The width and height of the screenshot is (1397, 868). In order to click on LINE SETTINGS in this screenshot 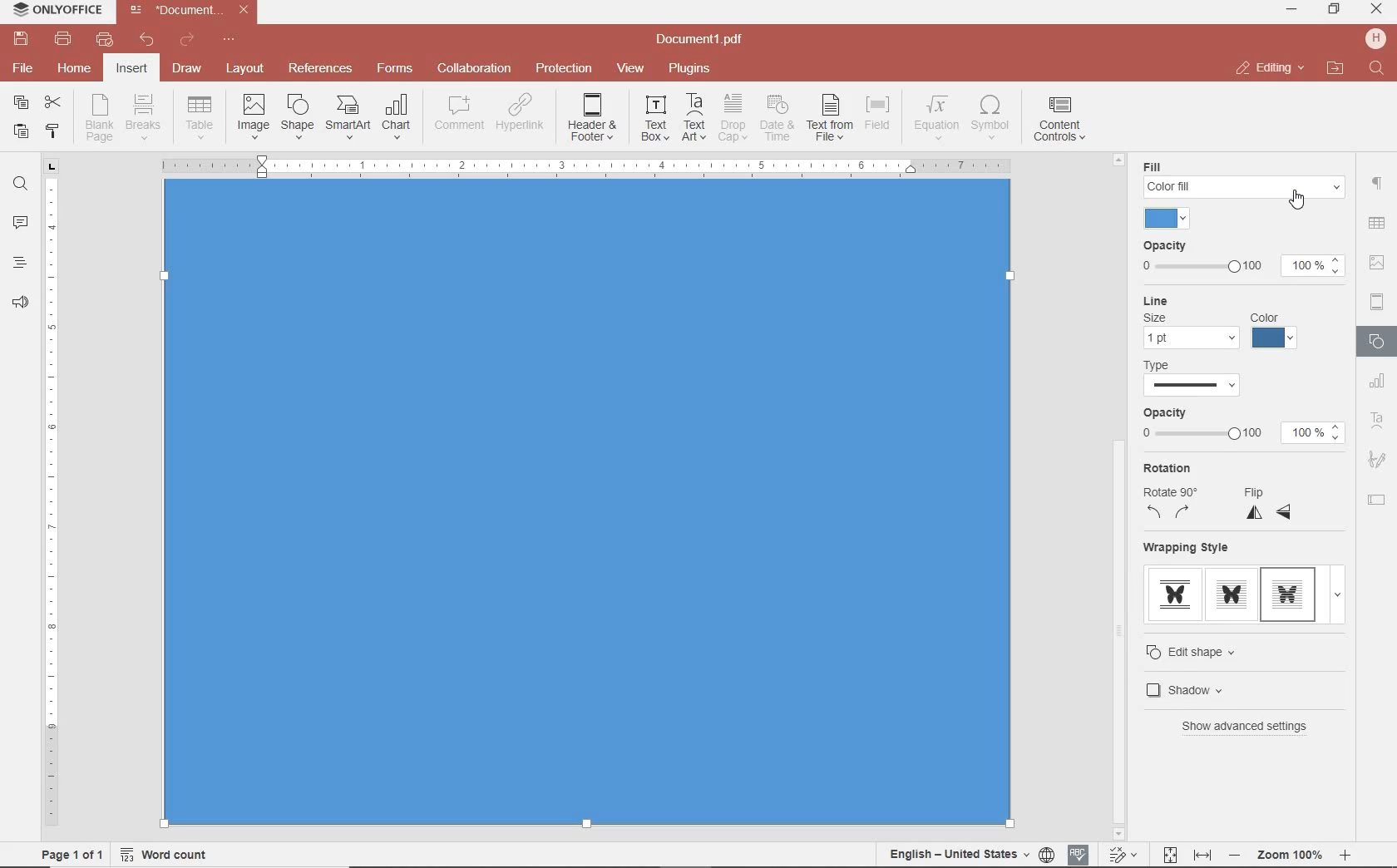, I will do `click(1223, 322)`.